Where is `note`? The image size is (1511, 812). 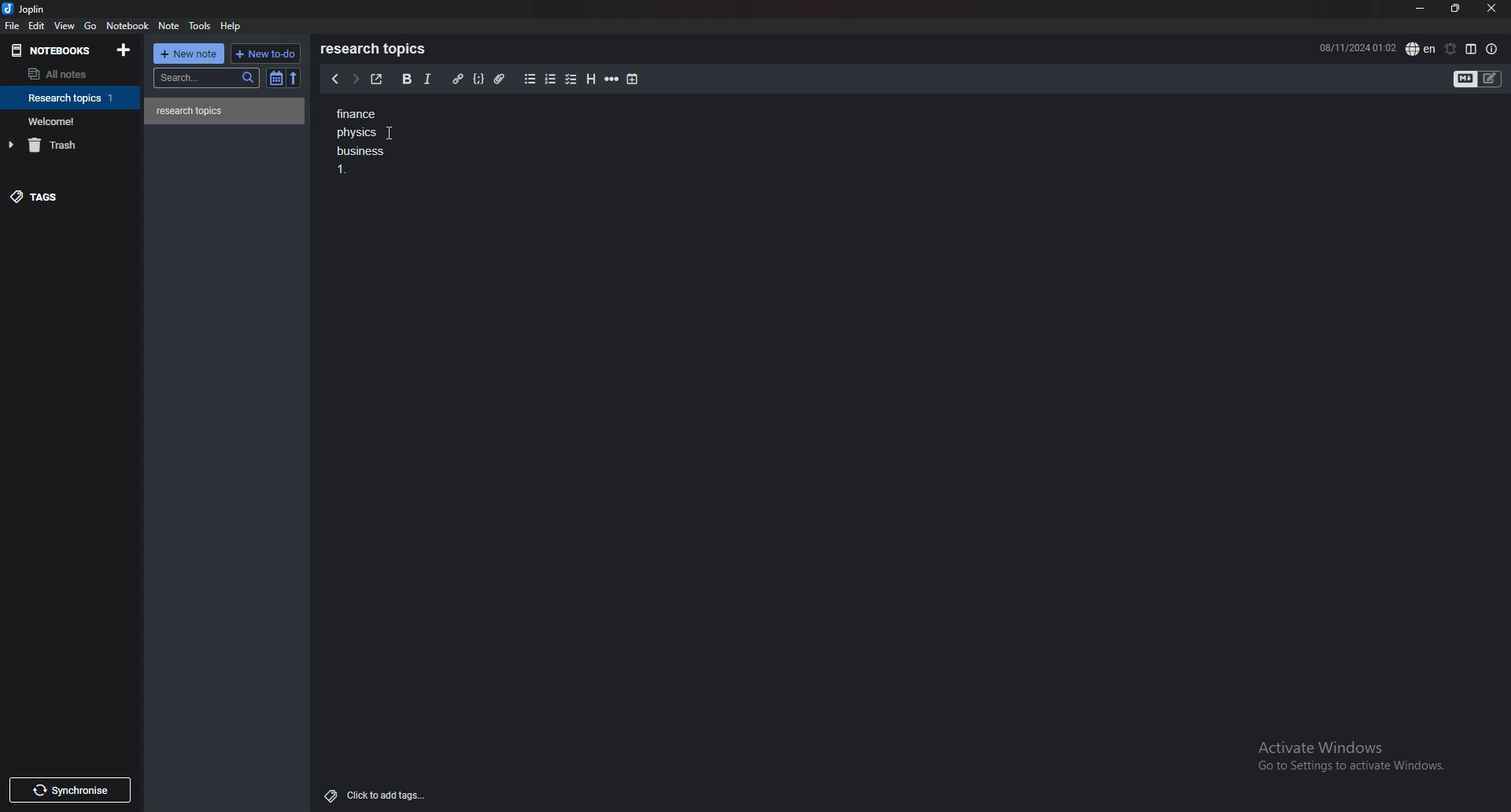 note is located at coordinates (225, 111).